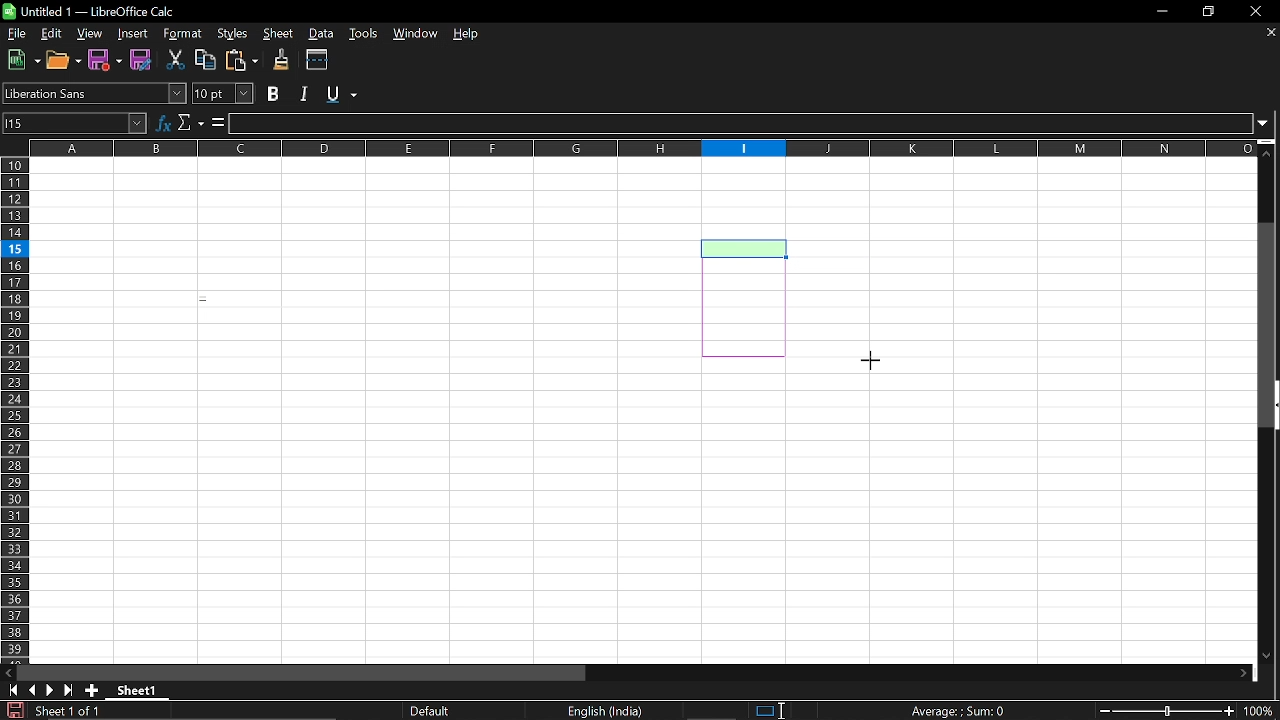 This screenshot has width=1280, height=720. Describe the element at coordinates (1021, 259) in the screenshot. I see `Fillable cells` at that location.